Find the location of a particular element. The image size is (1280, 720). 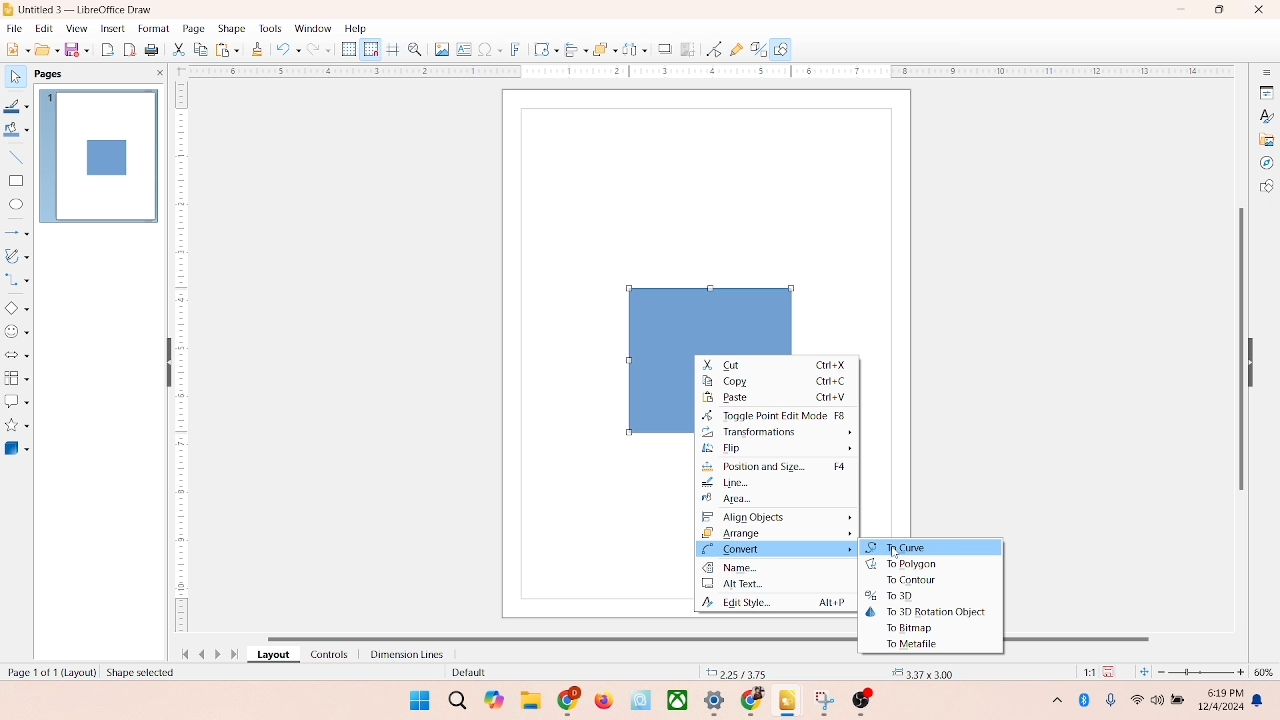

last page is located at coordinates (236, 655).